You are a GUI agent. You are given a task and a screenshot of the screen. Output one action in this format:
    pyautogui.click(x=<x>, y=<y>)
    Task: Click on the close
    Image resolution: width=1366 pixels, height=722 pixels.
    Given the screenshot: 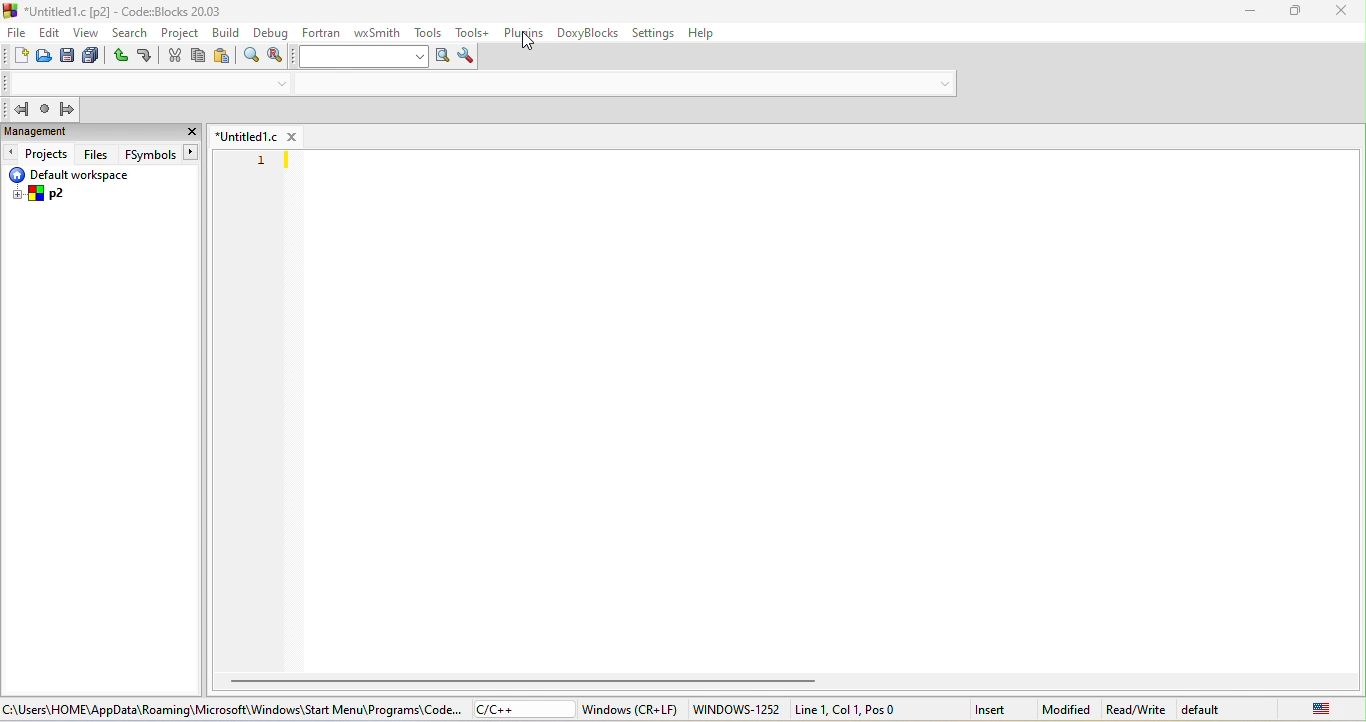 What is the action you would take?
    pyautogui.click(x=1343, y=11)
    